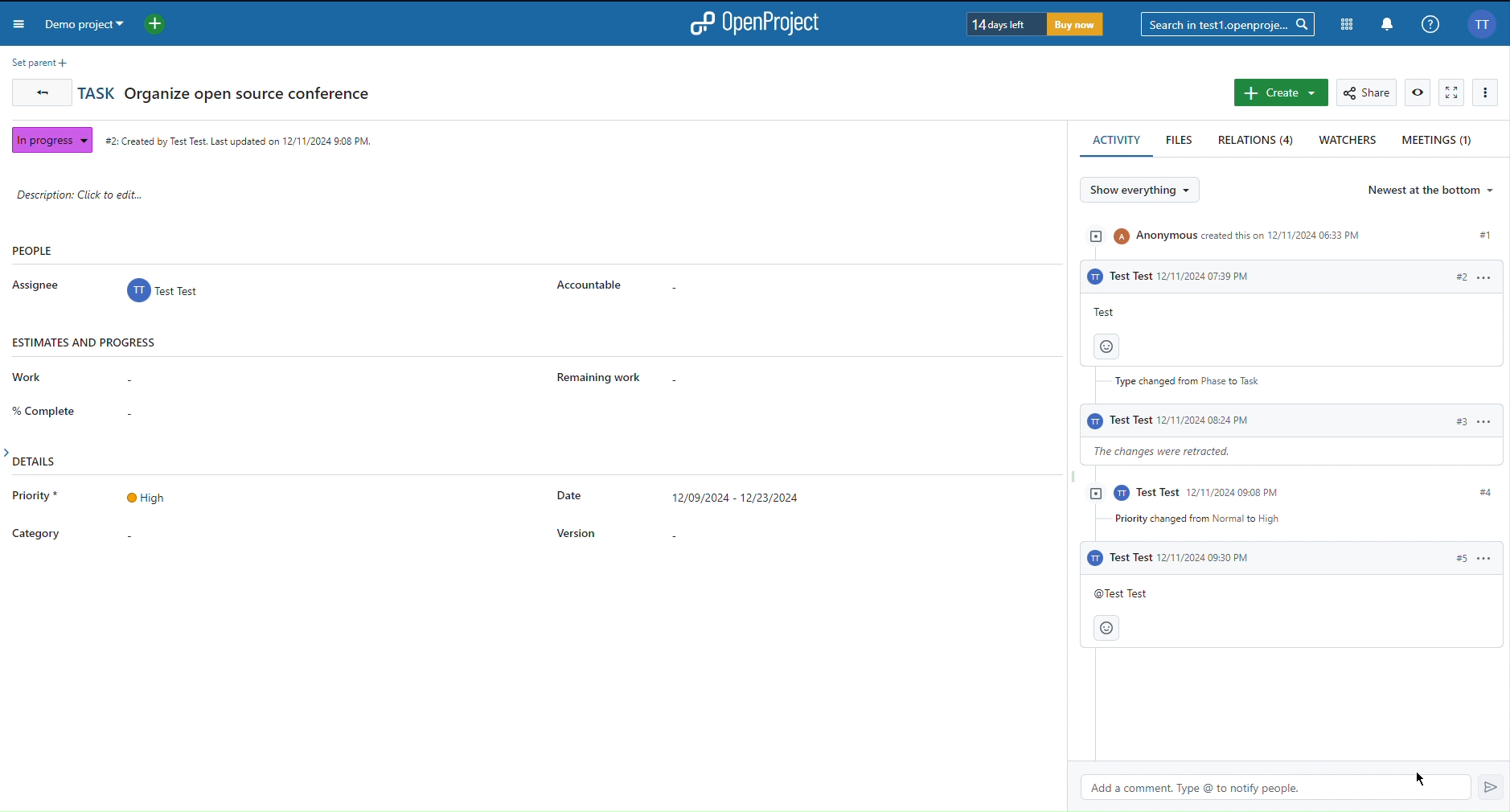 This screenshot has width=1510, height=812. What do you see at coordinates (333, 273) in the screenshot?
I see `People` at bounding box center [333, 273].